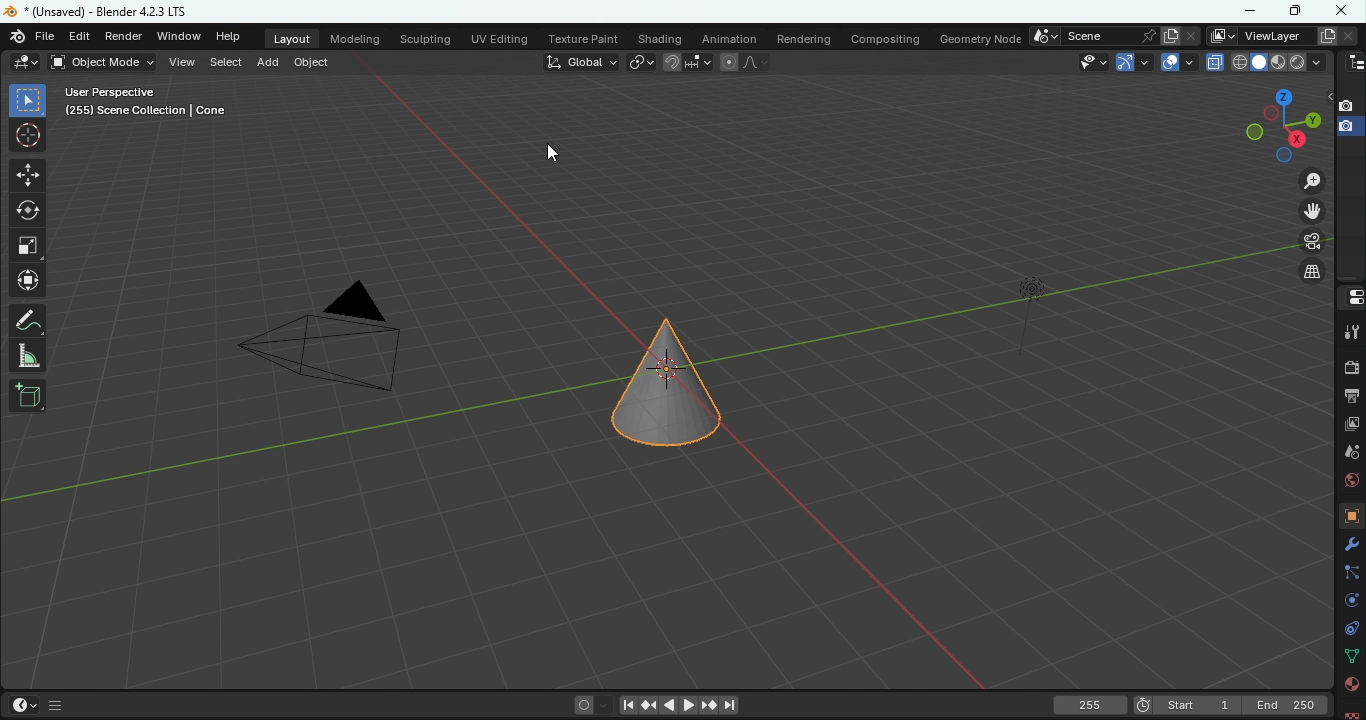 Image resolution: width=1366 pixels, height=720 pixels. I want to click on Pin scene in the workspace, so click(1146, 35).